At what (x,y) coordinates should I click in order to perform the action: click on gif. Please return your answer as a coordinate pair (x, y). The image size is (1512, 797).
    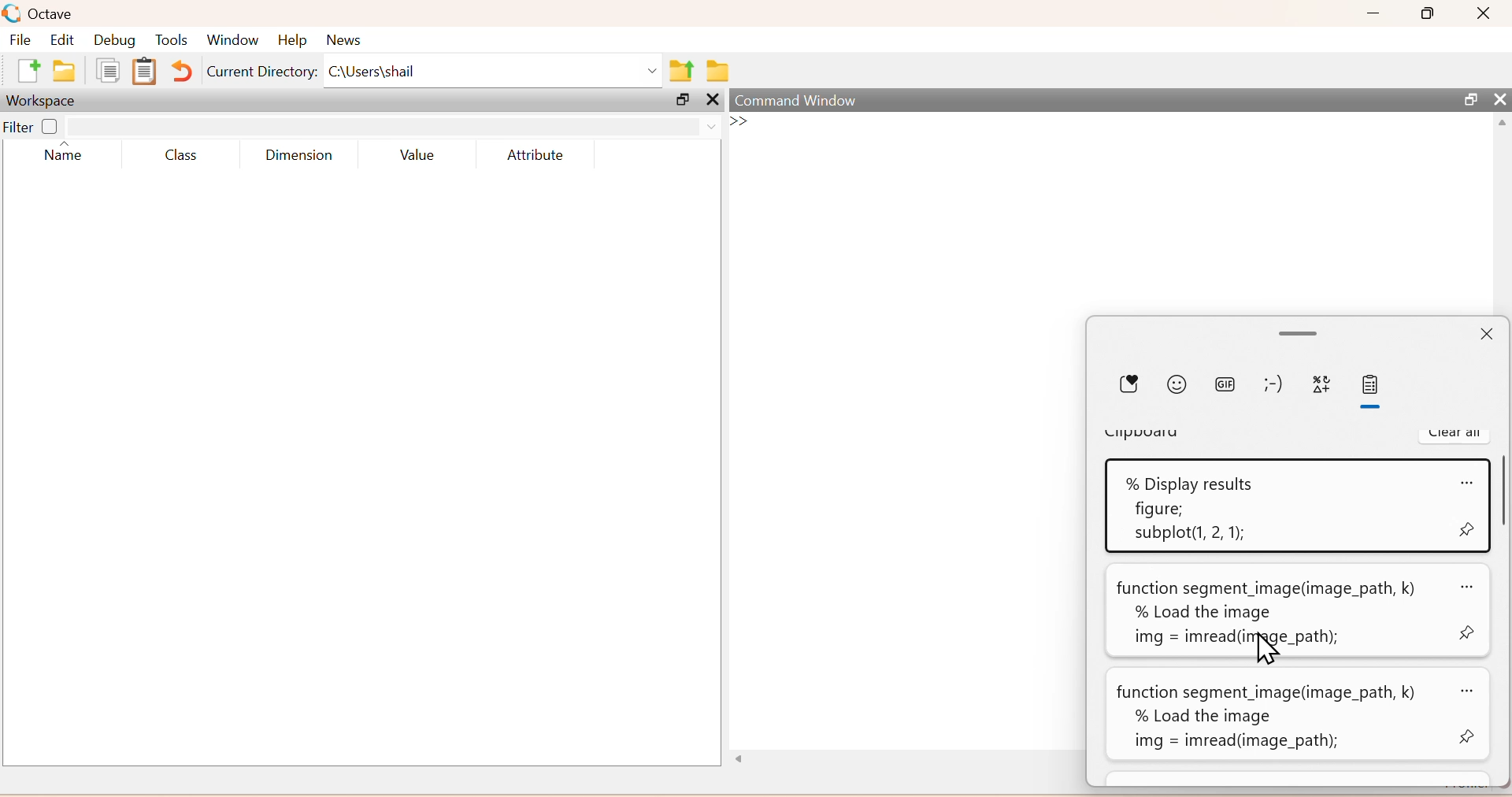
    Looking at the image, I should click on (1225, 384).